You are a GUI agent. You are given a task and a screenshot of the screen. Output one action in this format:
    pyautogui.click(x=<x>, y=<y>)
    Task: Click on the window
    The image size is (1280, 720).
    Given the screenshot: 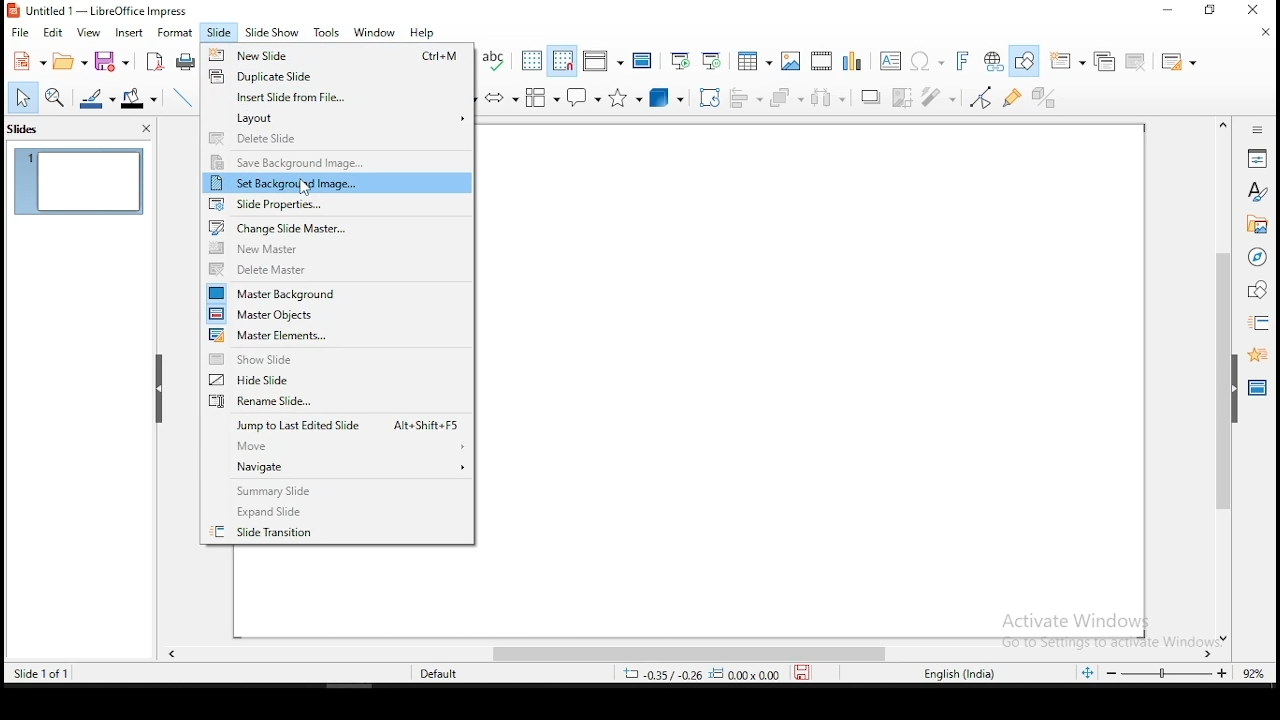 What is the action you would take?
    pyautogui.click(x=375, y=32)
    